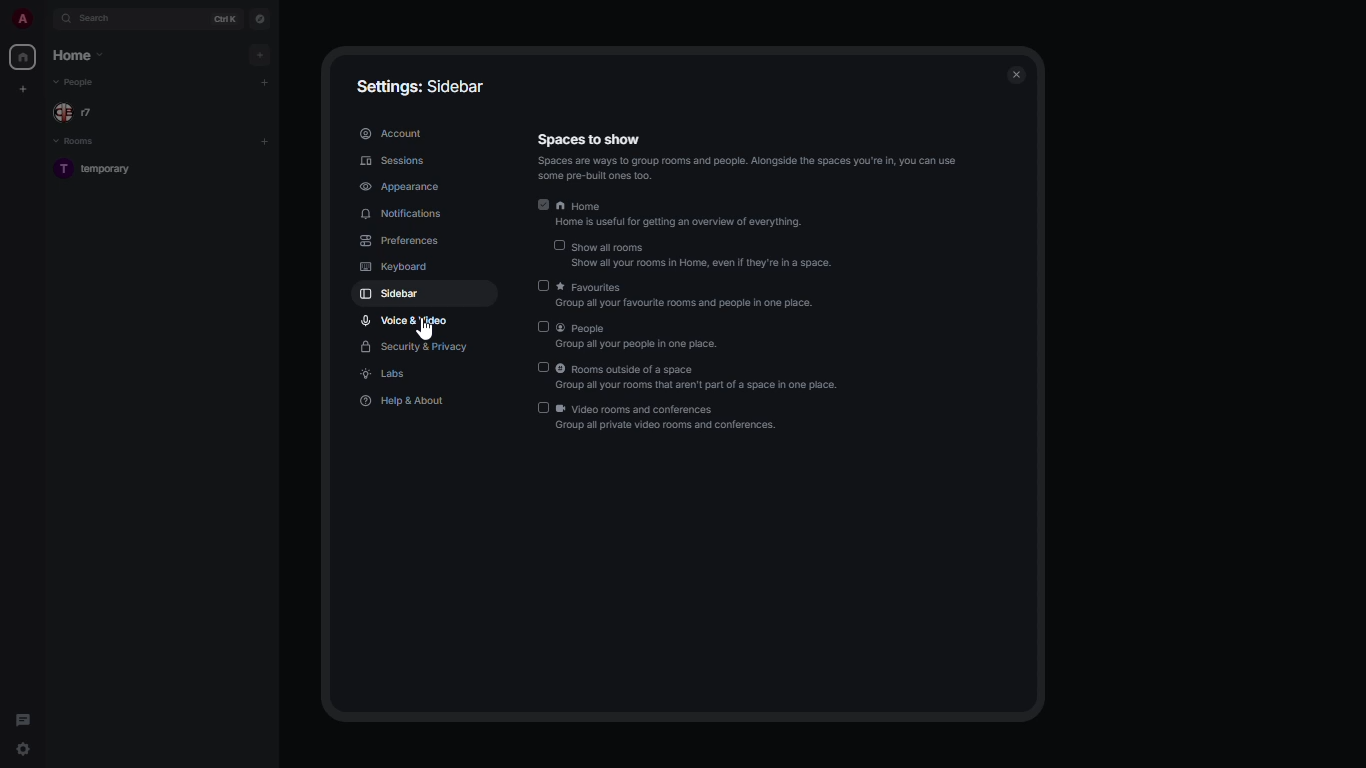 Image resolution: width=1366 pixels, height=768 pixels. Describe the element at coordinates (403, 402) in the screenshot. I see `help & about` at that location.